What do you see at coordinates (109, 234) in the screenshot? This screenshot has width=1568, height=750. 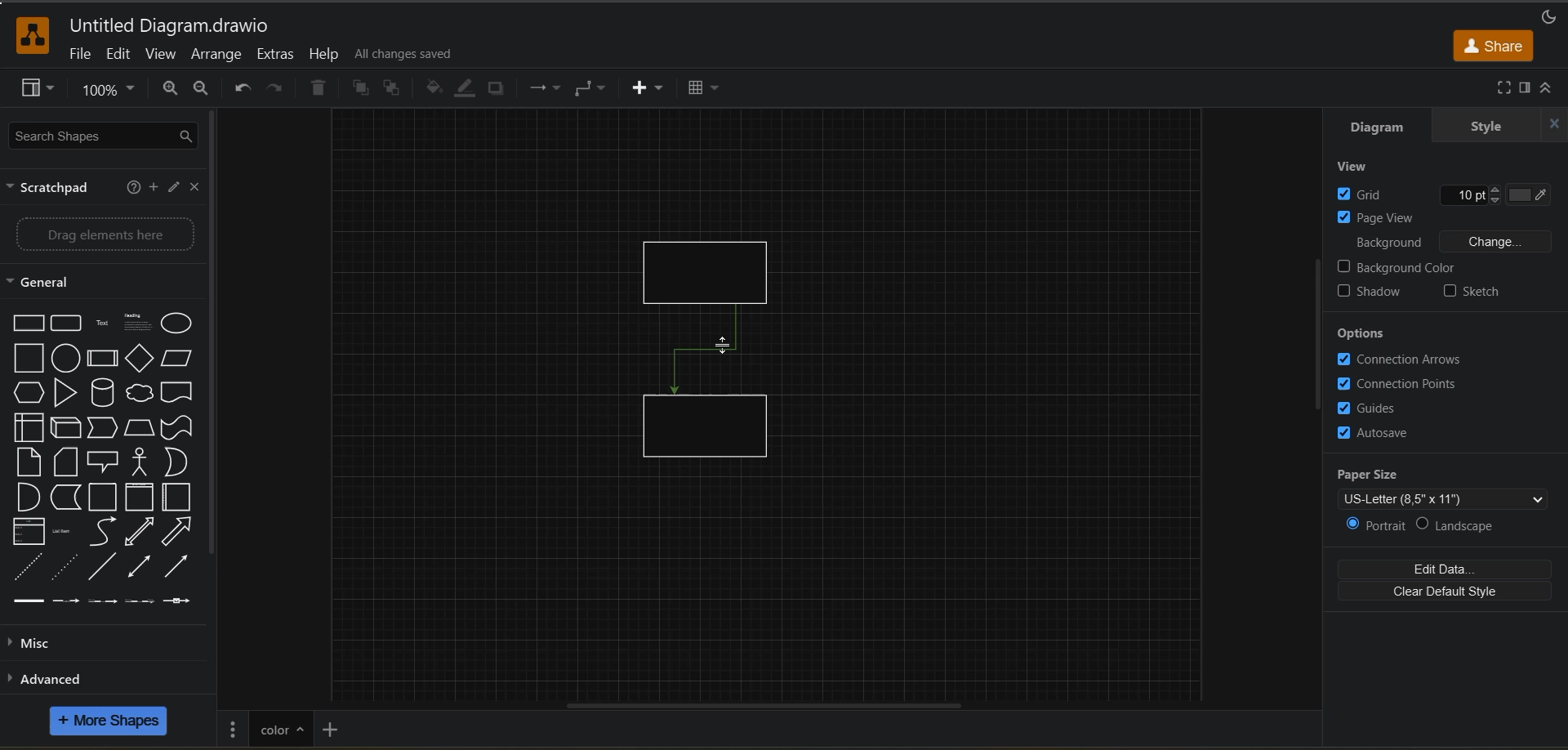 I see `drag elements here` at bounding box center [109, 234].